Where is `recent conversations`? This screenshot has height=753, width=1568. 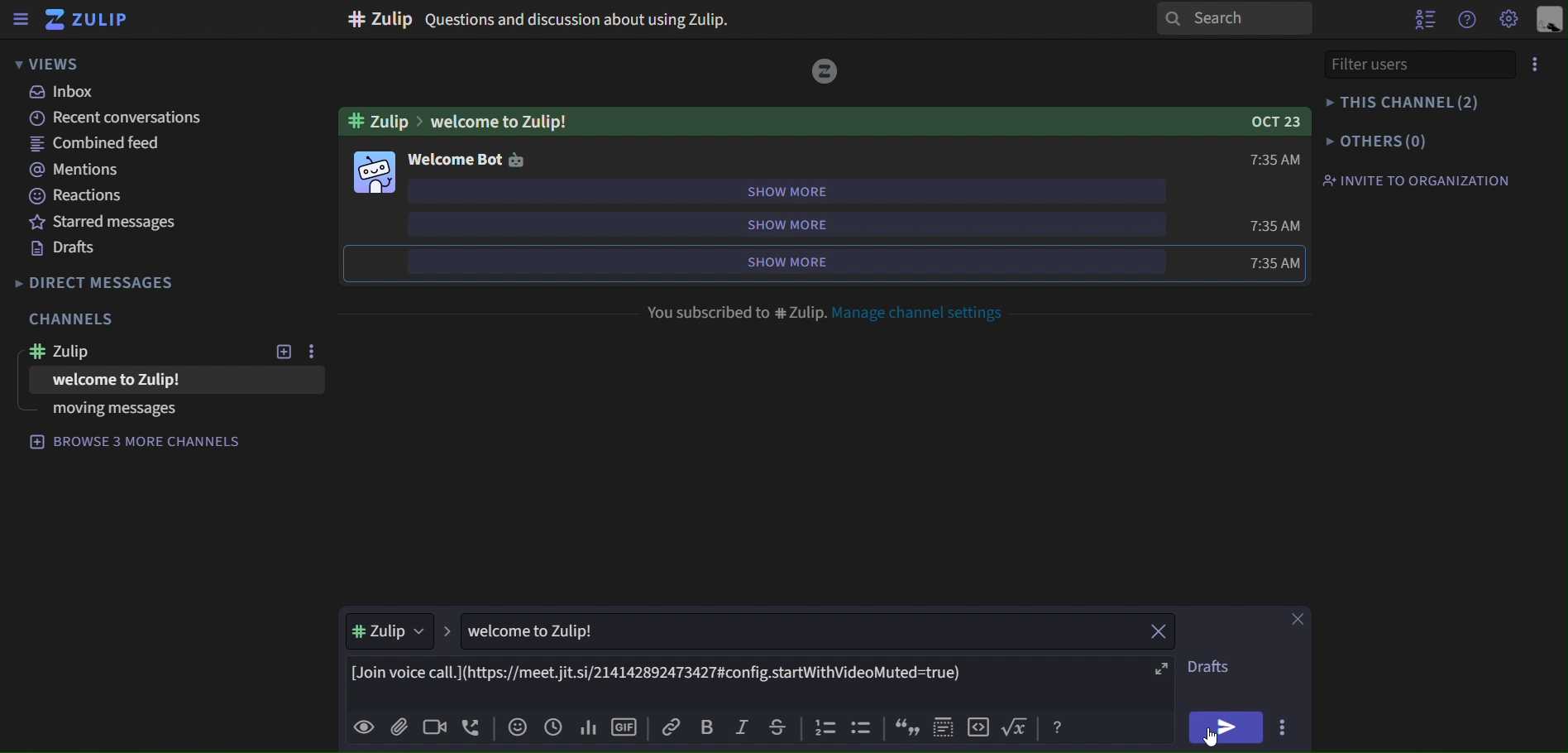
recent conversations is located at coordinates (117, 119).